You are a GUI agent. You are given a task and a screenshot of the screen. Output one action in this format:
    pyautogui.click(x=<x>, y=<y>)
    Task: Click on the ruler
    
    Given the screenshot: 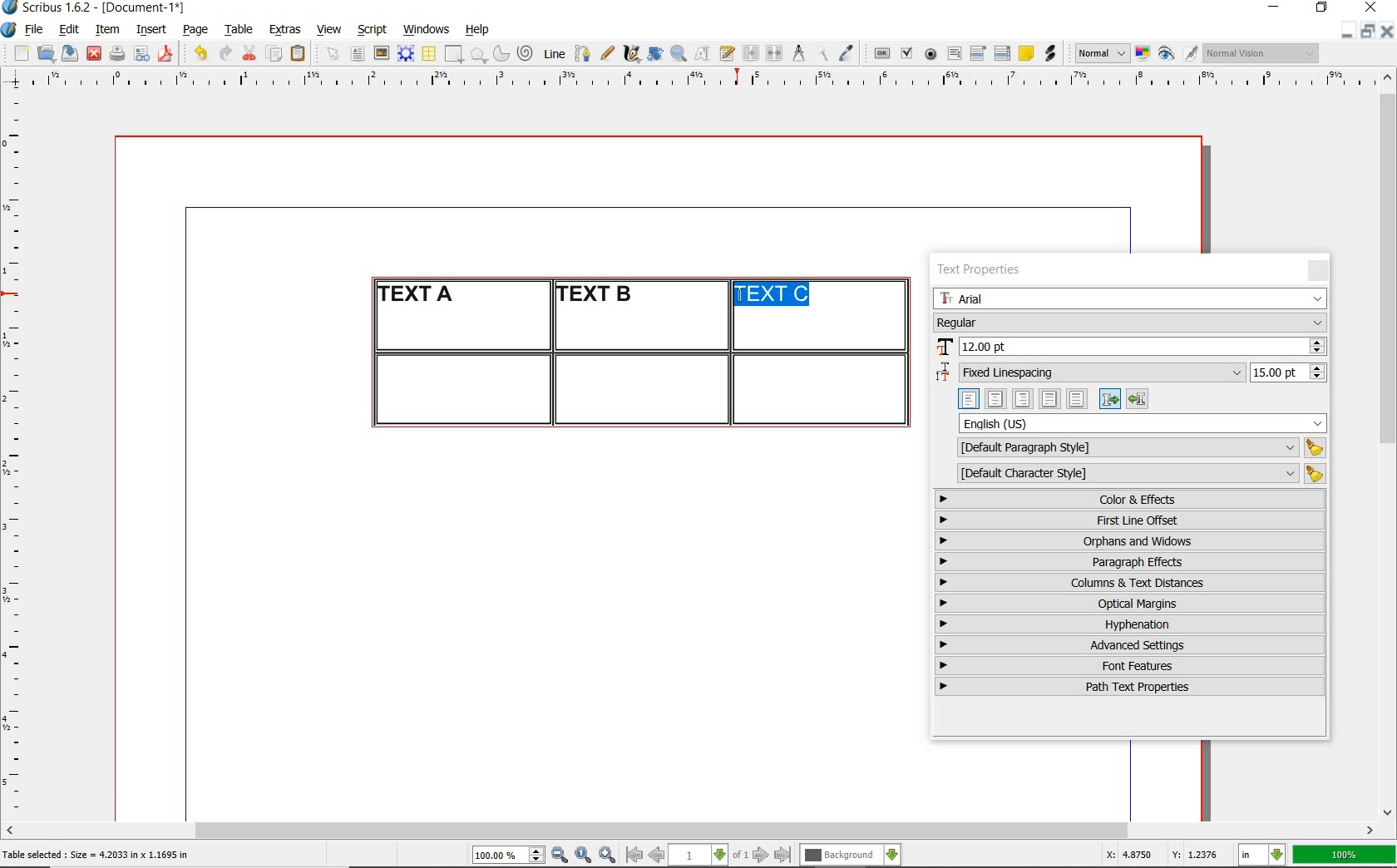 What is the action you would take?
    pyautogui.click(x=18, y=454)
    